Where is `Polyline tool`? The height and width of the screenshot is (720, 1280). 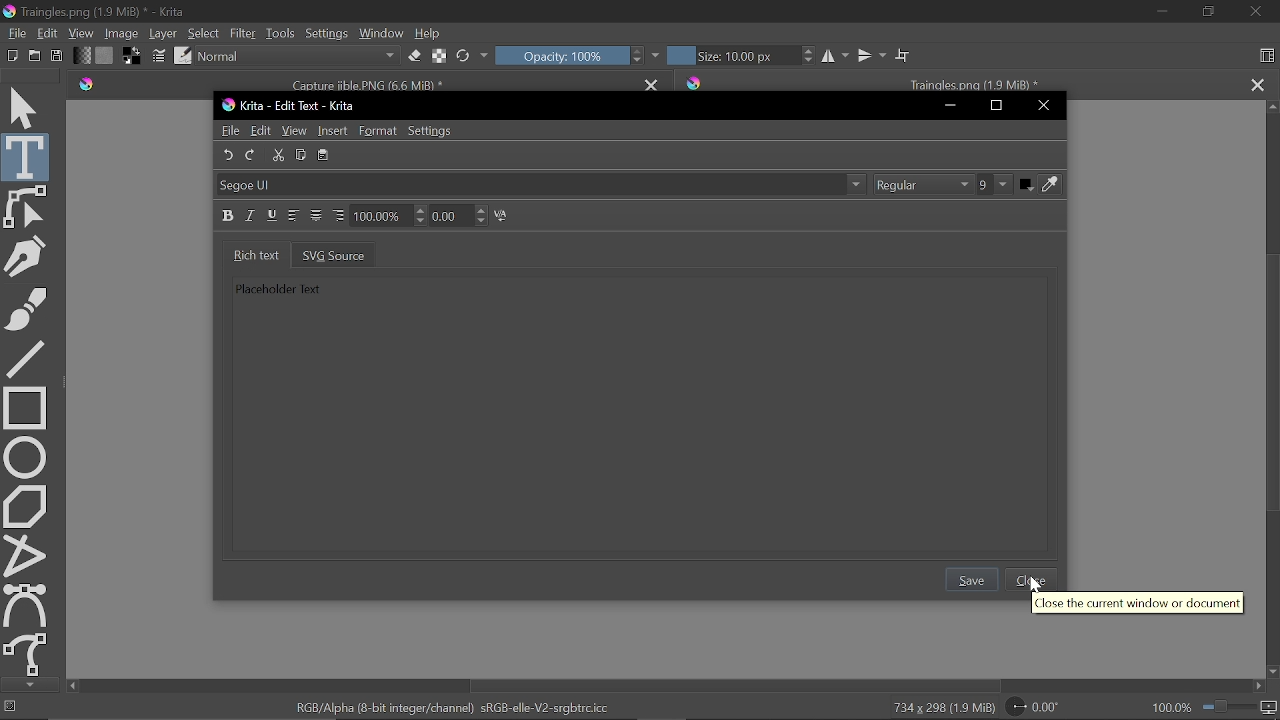 Polyline tool is located at coordinates (26, 555).